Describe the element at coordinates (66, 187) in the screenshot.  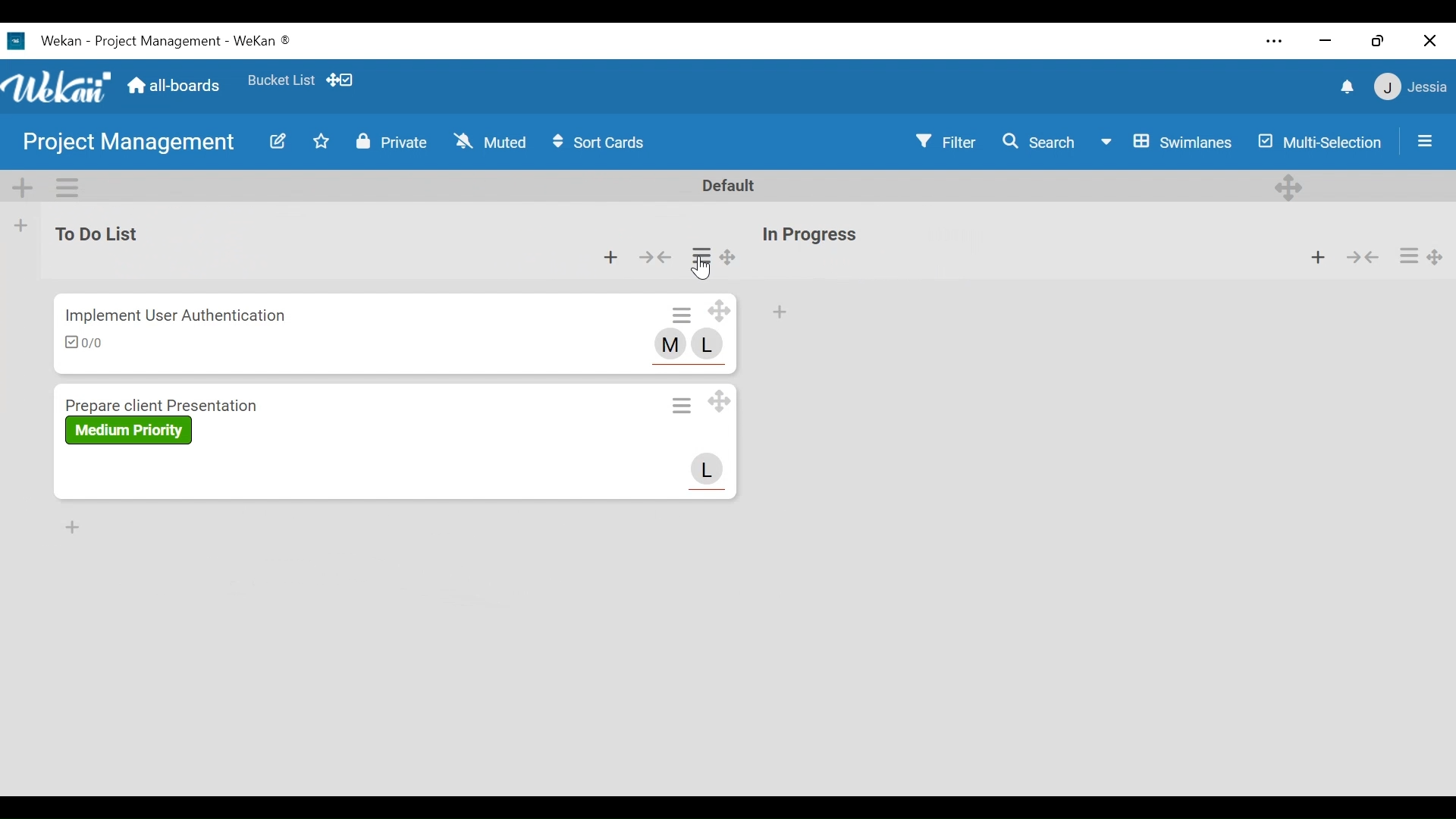
I see `Swimlane actions` at that location.